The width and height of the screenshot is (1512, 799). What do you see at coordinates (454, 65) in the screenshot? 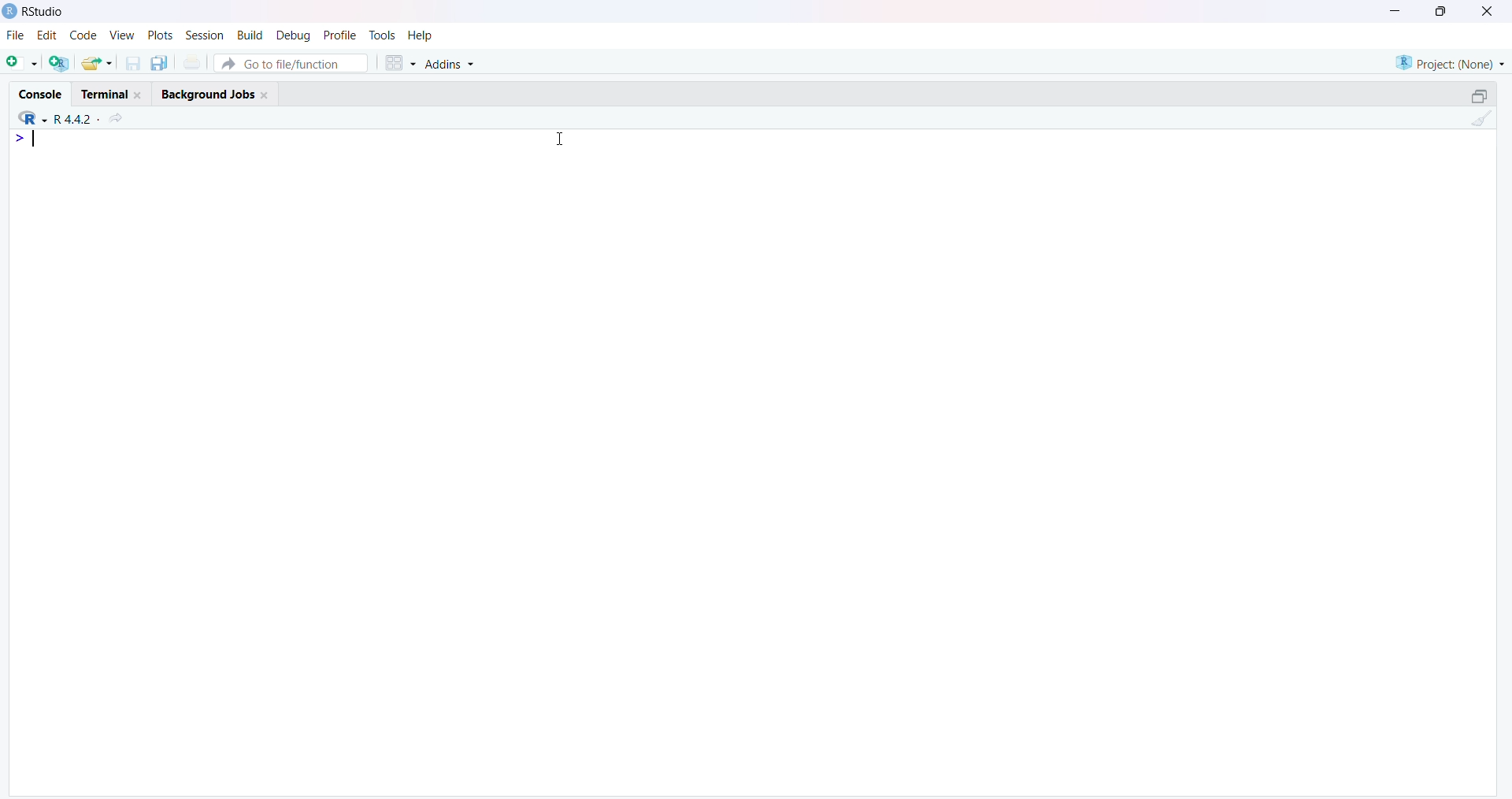
I see `Addins` at bounding box center [454, 65].